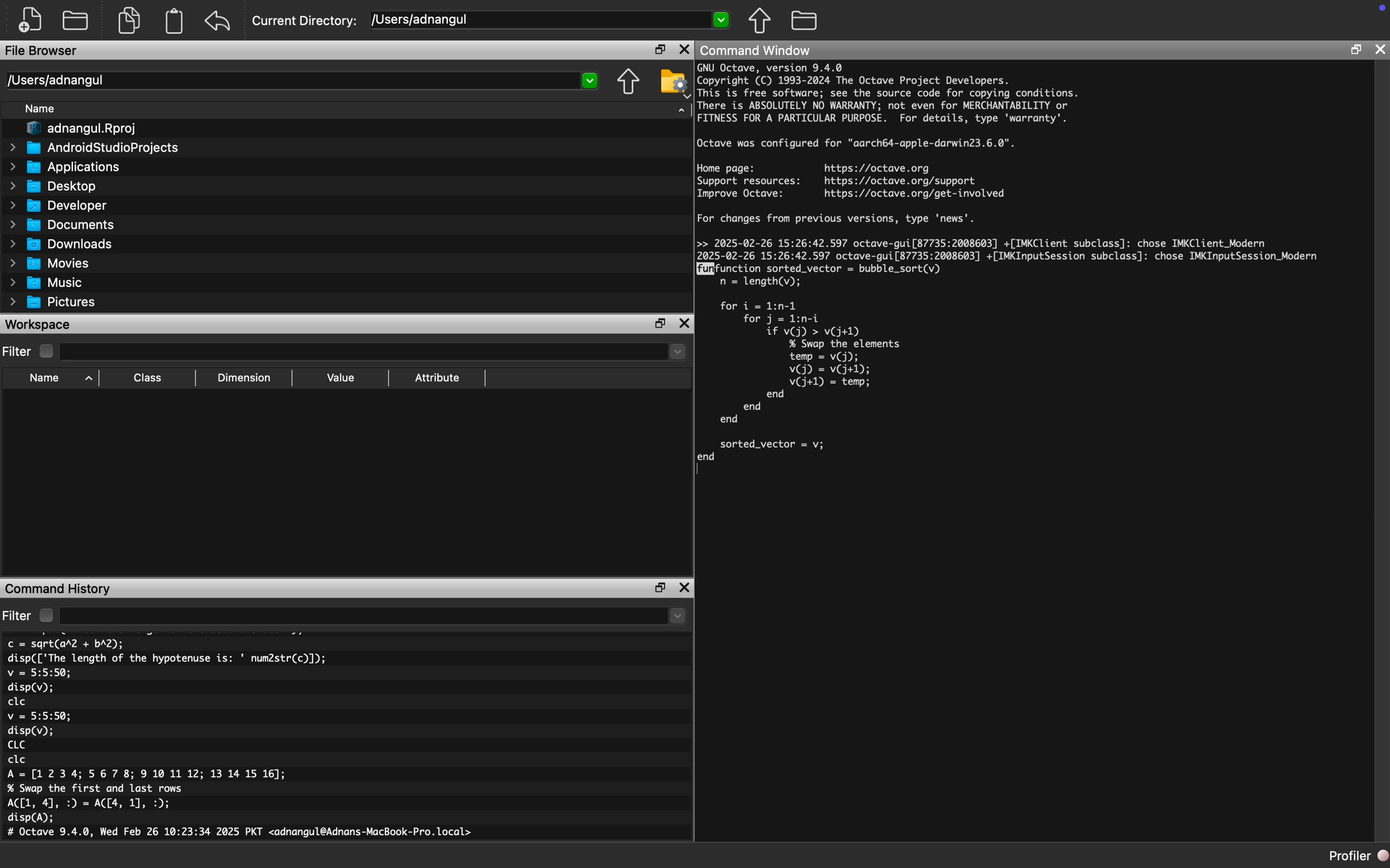  What do you see at coordinates (30, 689) in the screenshot?
I see `disp(v);` at bounding box center [30, 689].